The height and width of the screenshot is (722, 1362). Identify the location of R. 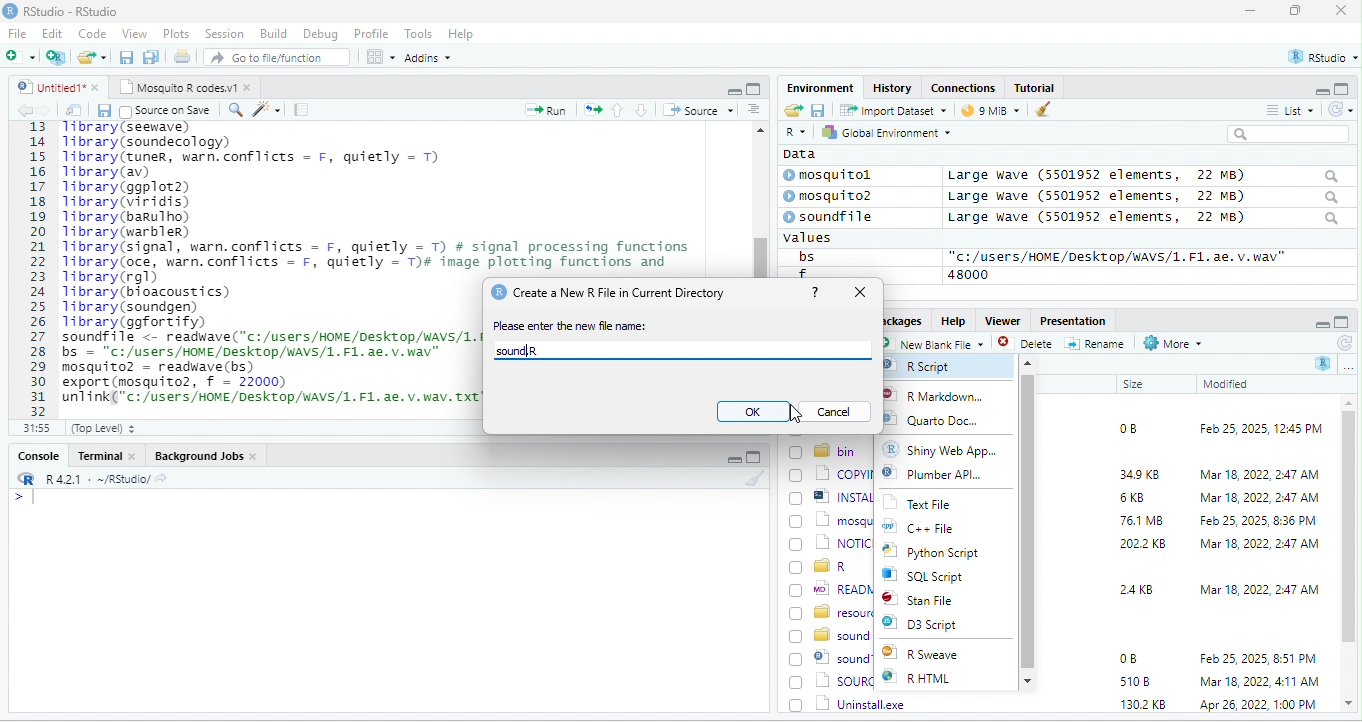
(794, 133).